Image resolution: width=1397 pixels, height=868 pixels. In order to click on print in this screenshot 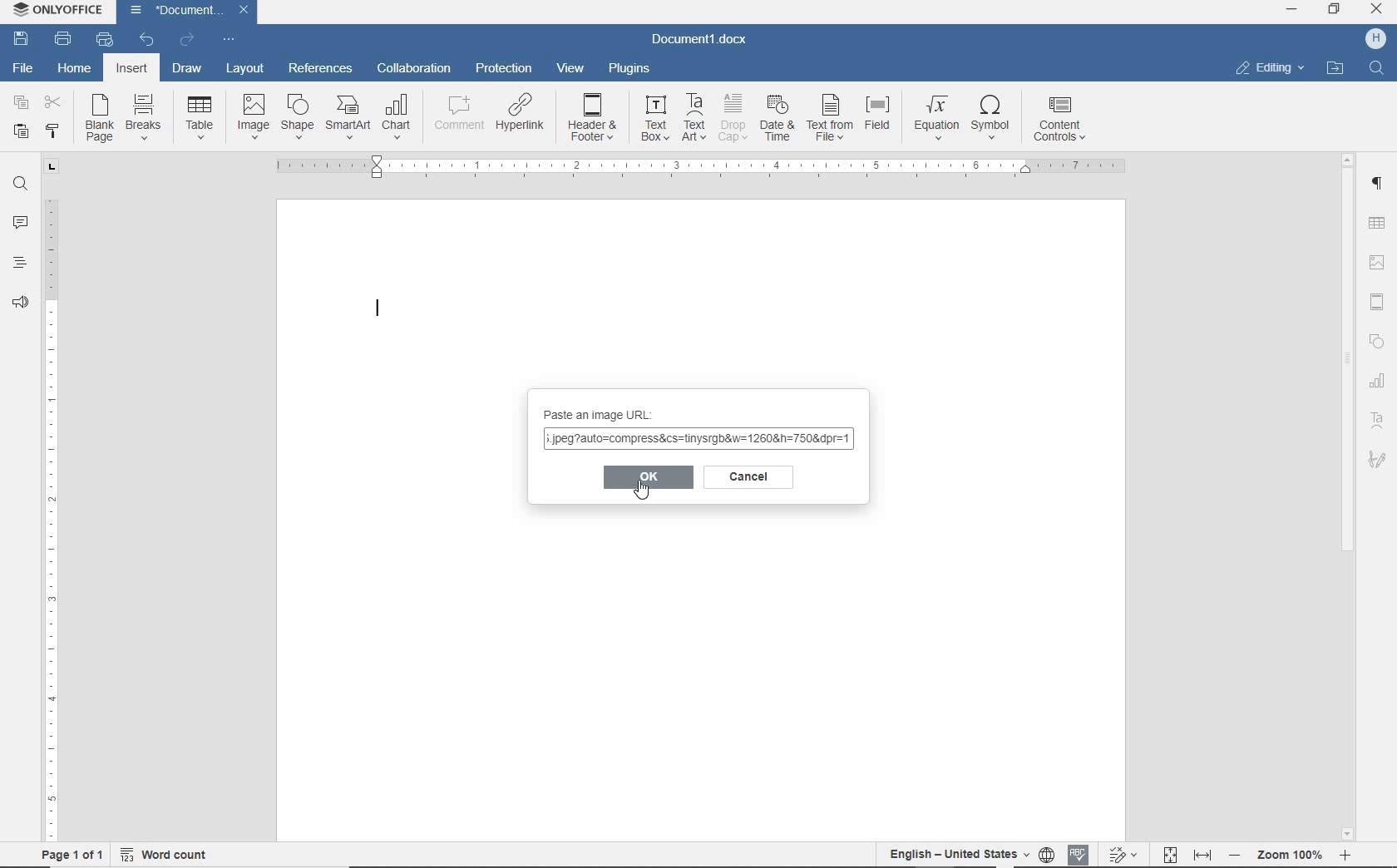, I will do `click(62, 40)`.